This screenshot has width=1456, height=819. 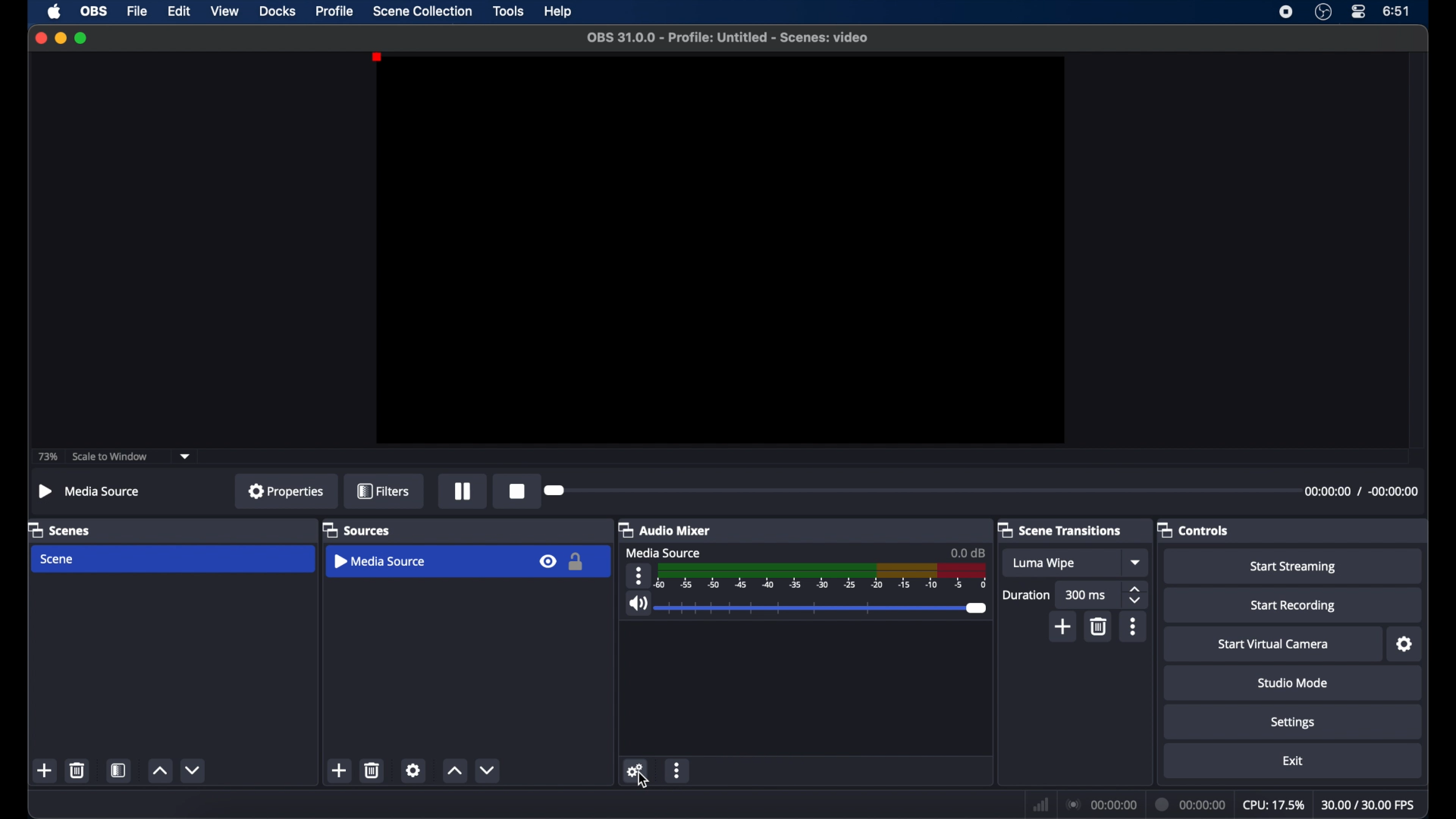 I want to click on fps, so click(x=1369, y=805).